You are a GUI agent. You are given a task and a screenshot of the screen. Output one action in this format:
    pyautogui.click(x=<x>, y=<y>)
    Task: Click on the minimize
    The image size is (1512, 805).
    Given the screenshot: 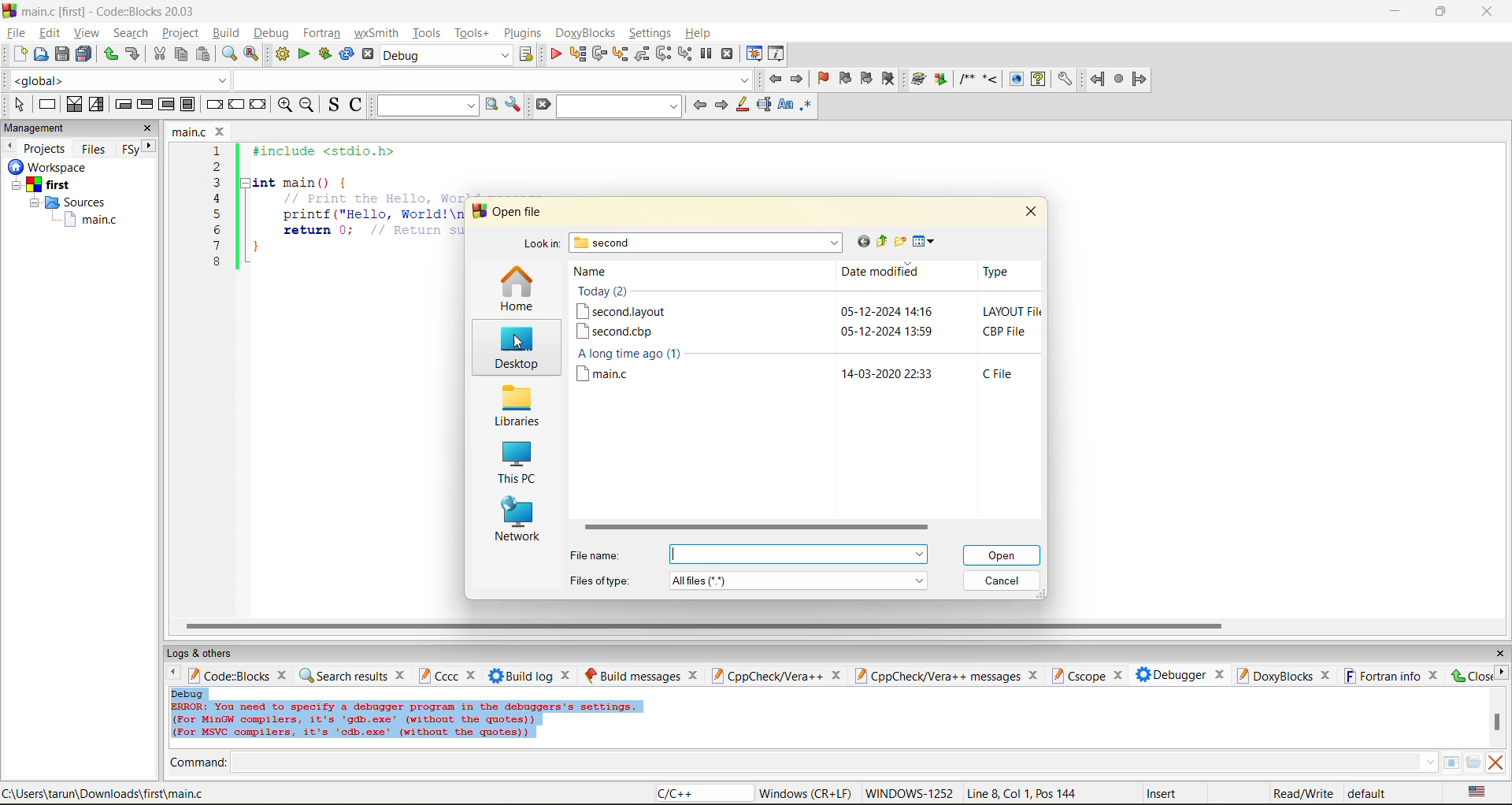 What is the action you would take?
    pyautogui.click(x=1396, y=12)
    